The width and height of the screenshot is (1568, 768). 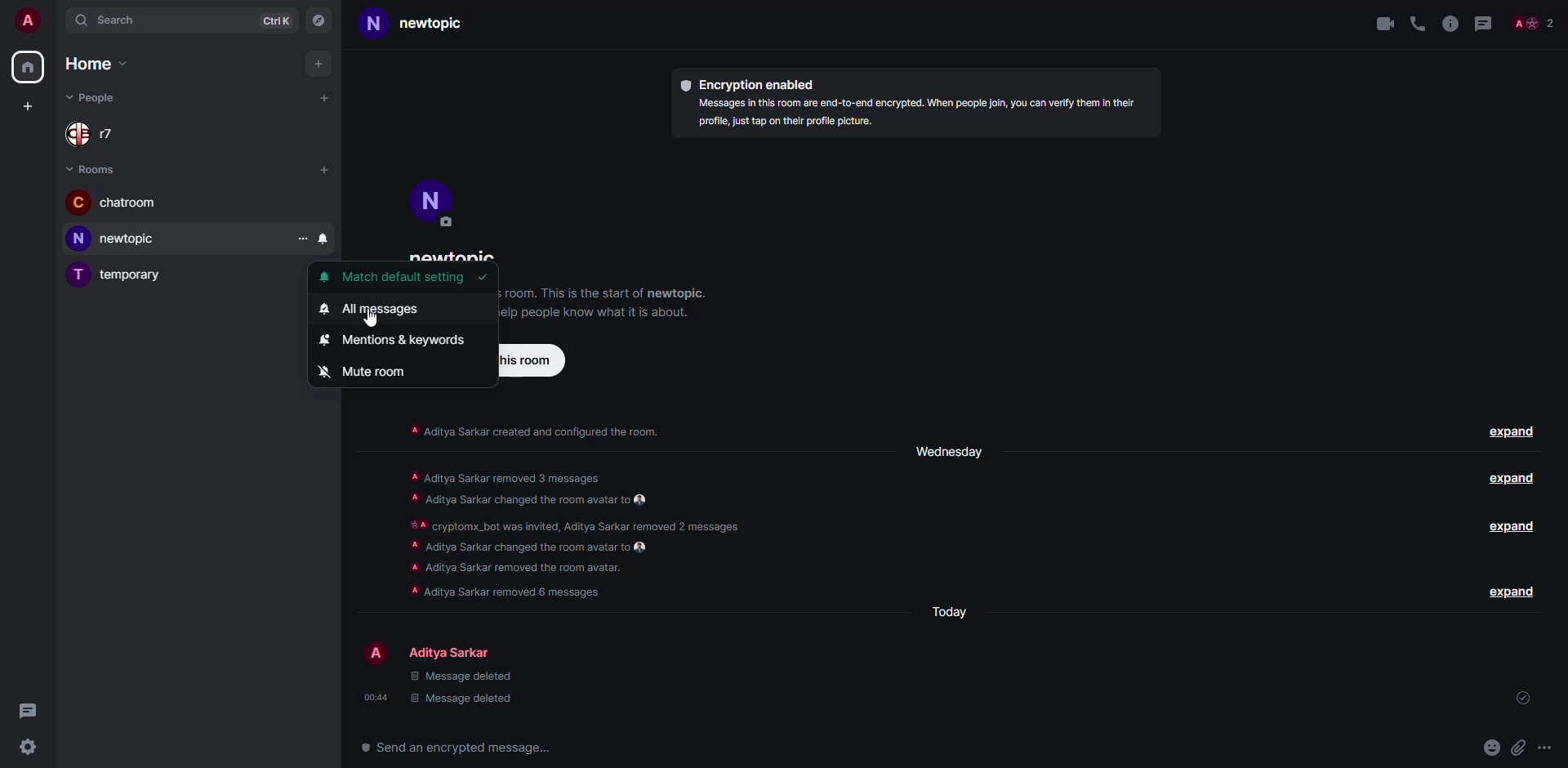 What do you see at coordinates (753, 86) in the screenshot?
I see `encryption enabled` at bounding box center [753, 86].